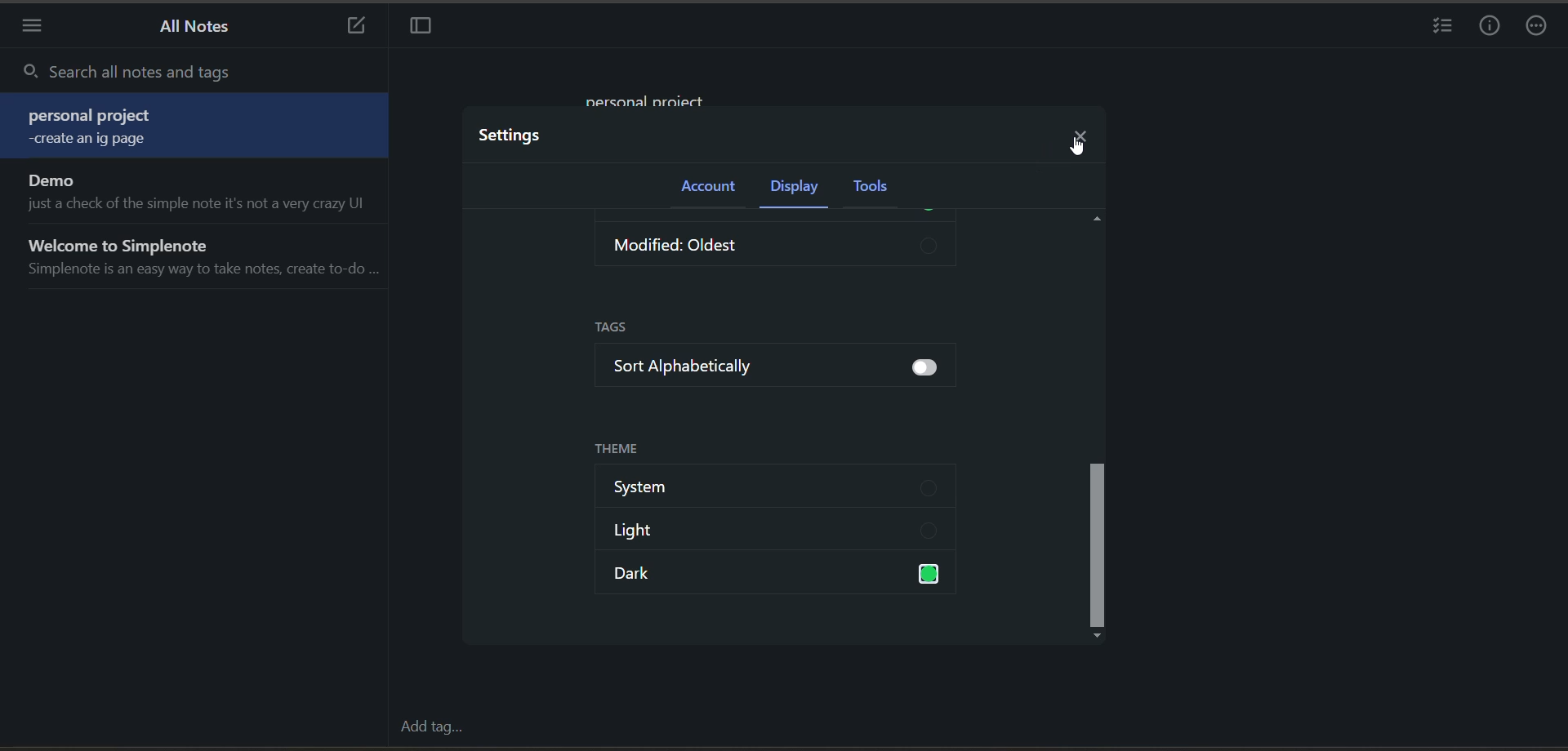 The width and height of the screenshot is (1568, 751). What do you see at coordinates (514, 139) in the screenshot?
I see `settings` at bounding box center [514, 139].